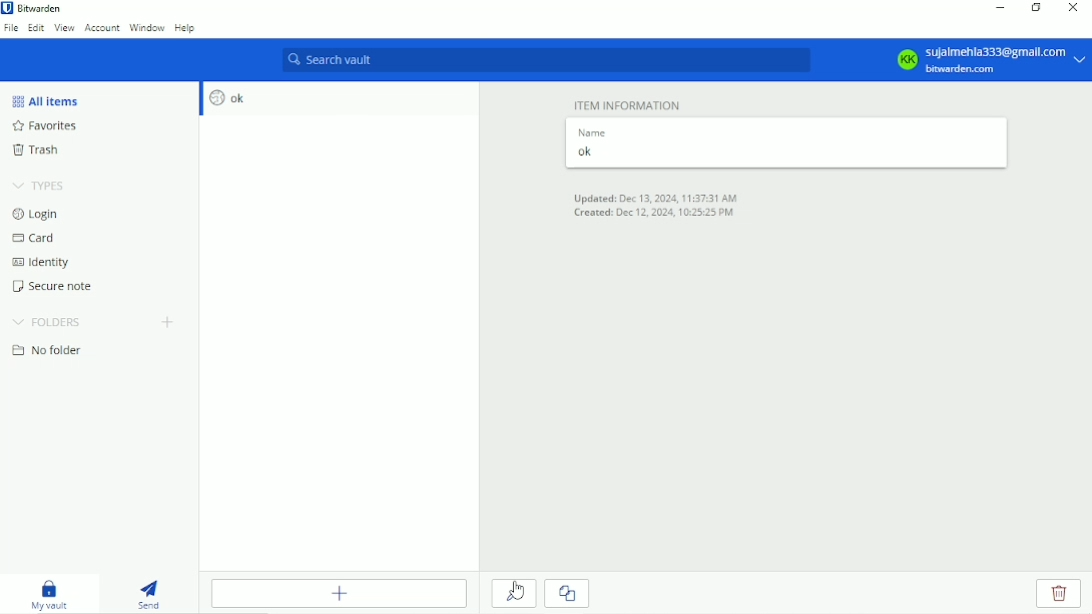 The width and height of the screenshot is (1092, 614). Describe the element at coordinates (36, 238) in the screenshot. I see `Card ` at that location.